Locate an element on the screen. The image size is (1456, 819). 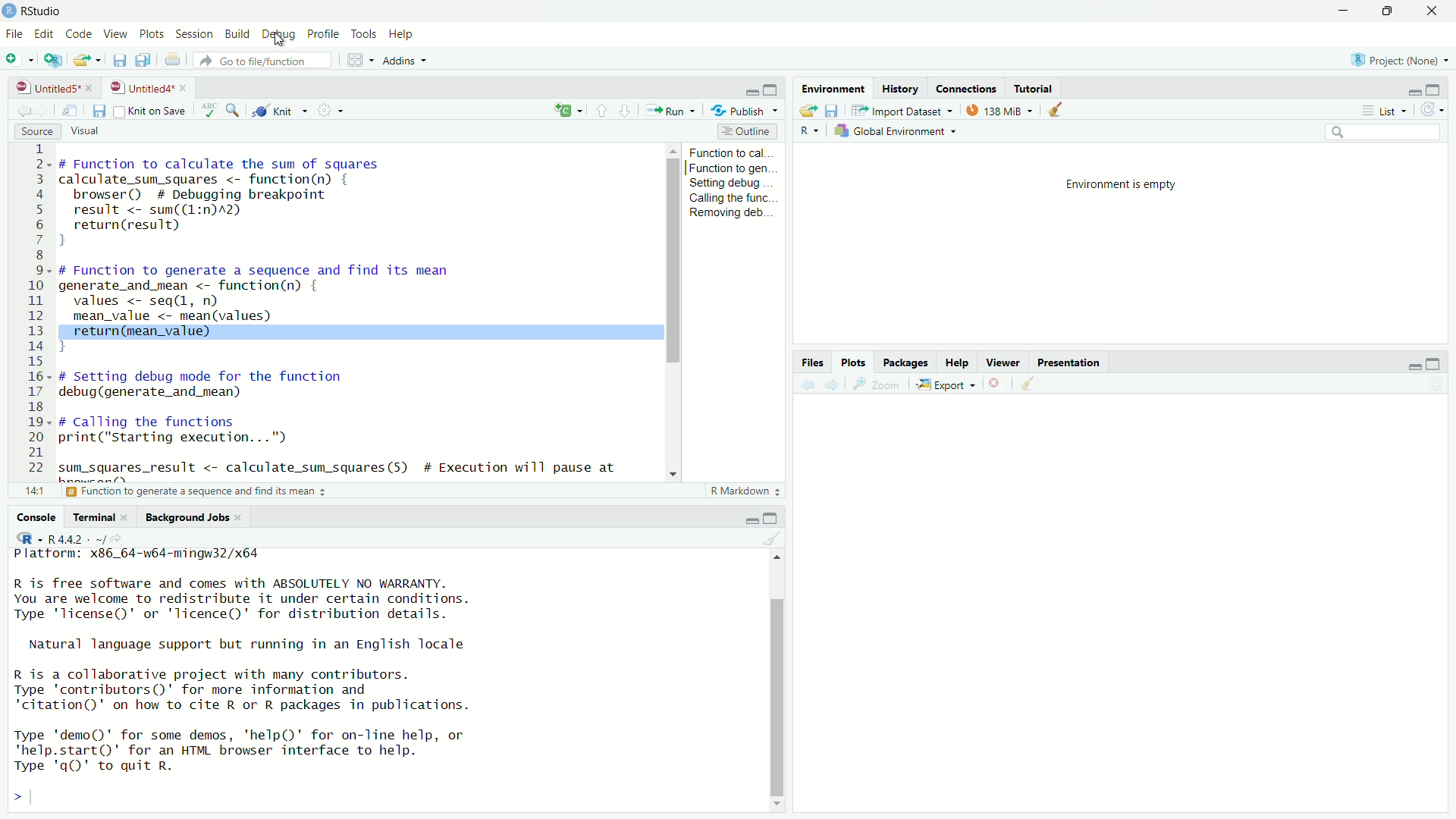
move up is located at coordinates (777, 560).